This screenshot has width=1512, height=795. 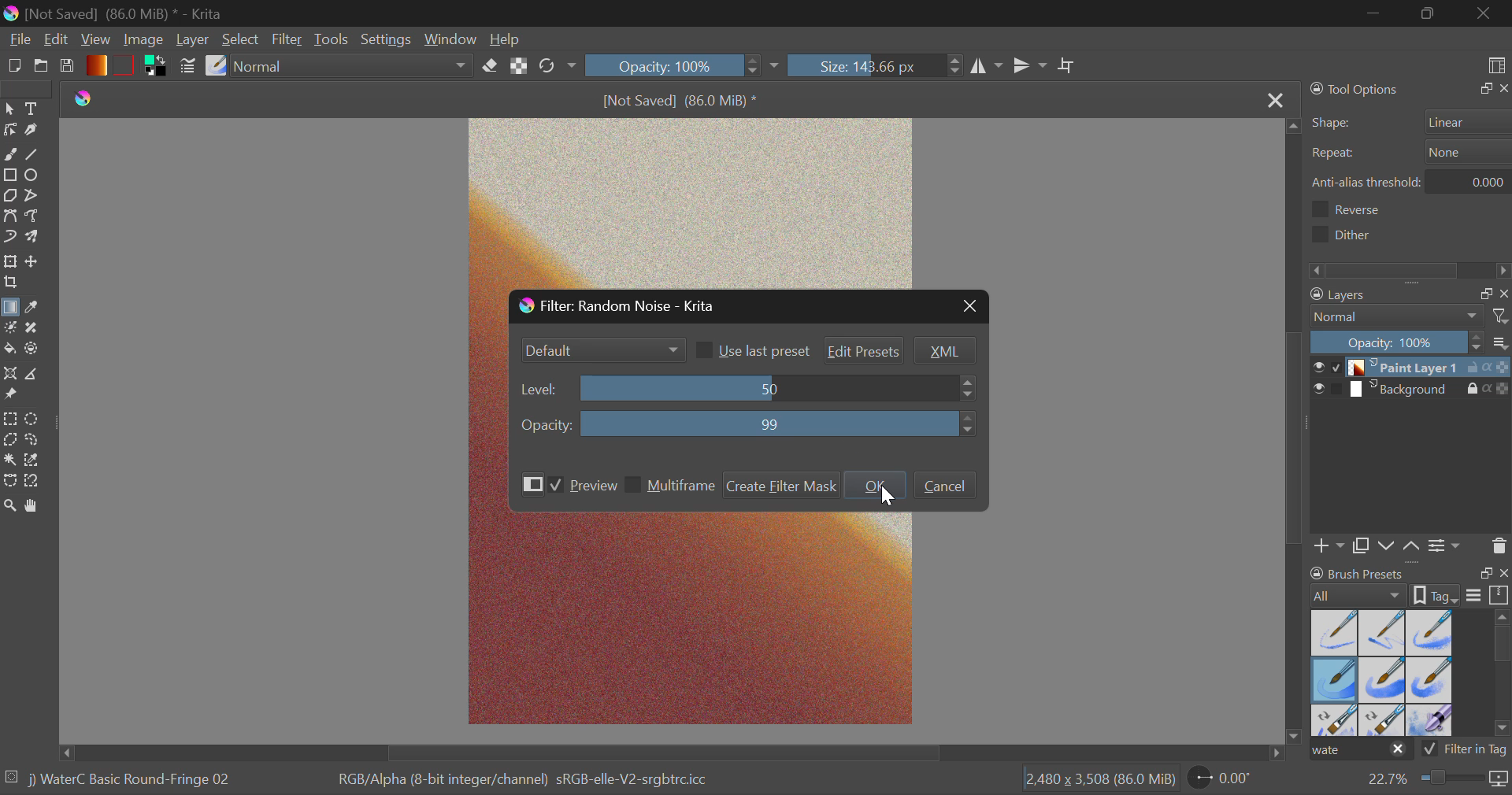 What do you see at coordinates (9, 462) in the screenshot?
I see `Continuous Selection` at bounding box center [9, 462].